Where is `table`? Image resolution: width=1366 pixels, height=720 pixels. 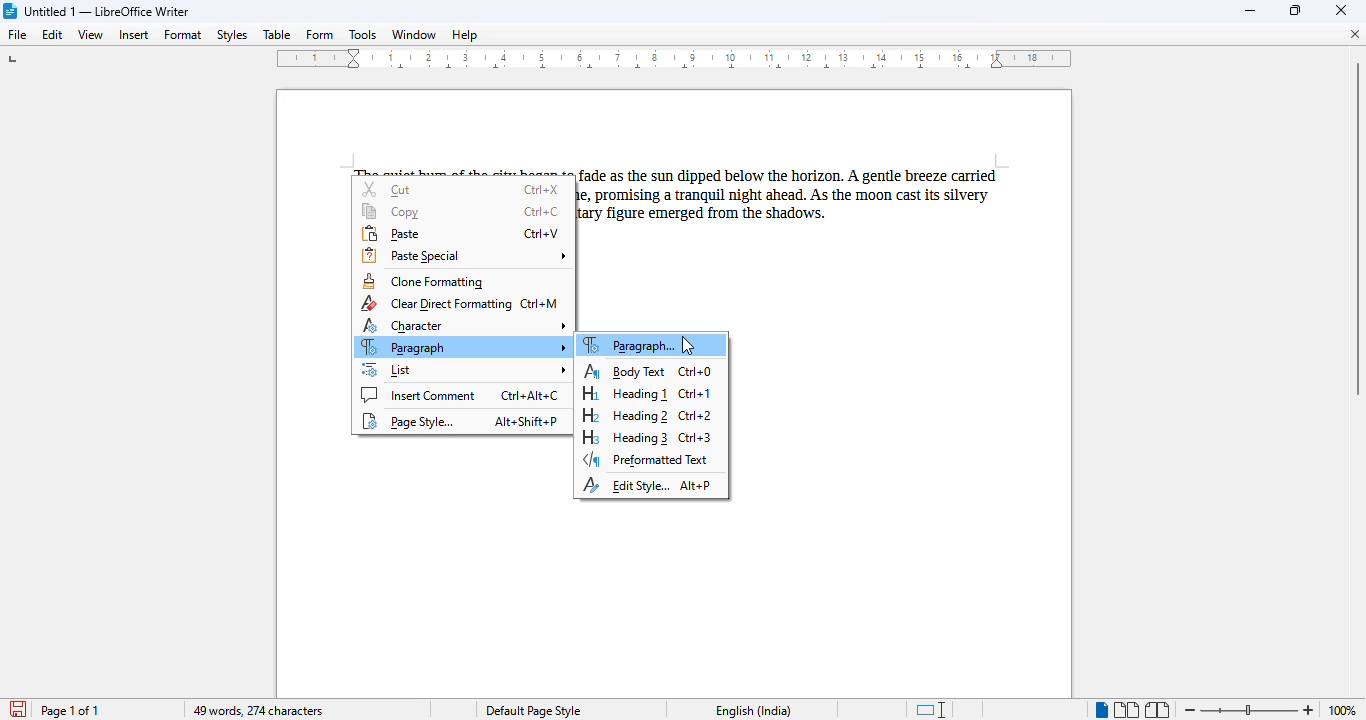
table is located at coordinates (277, 34).